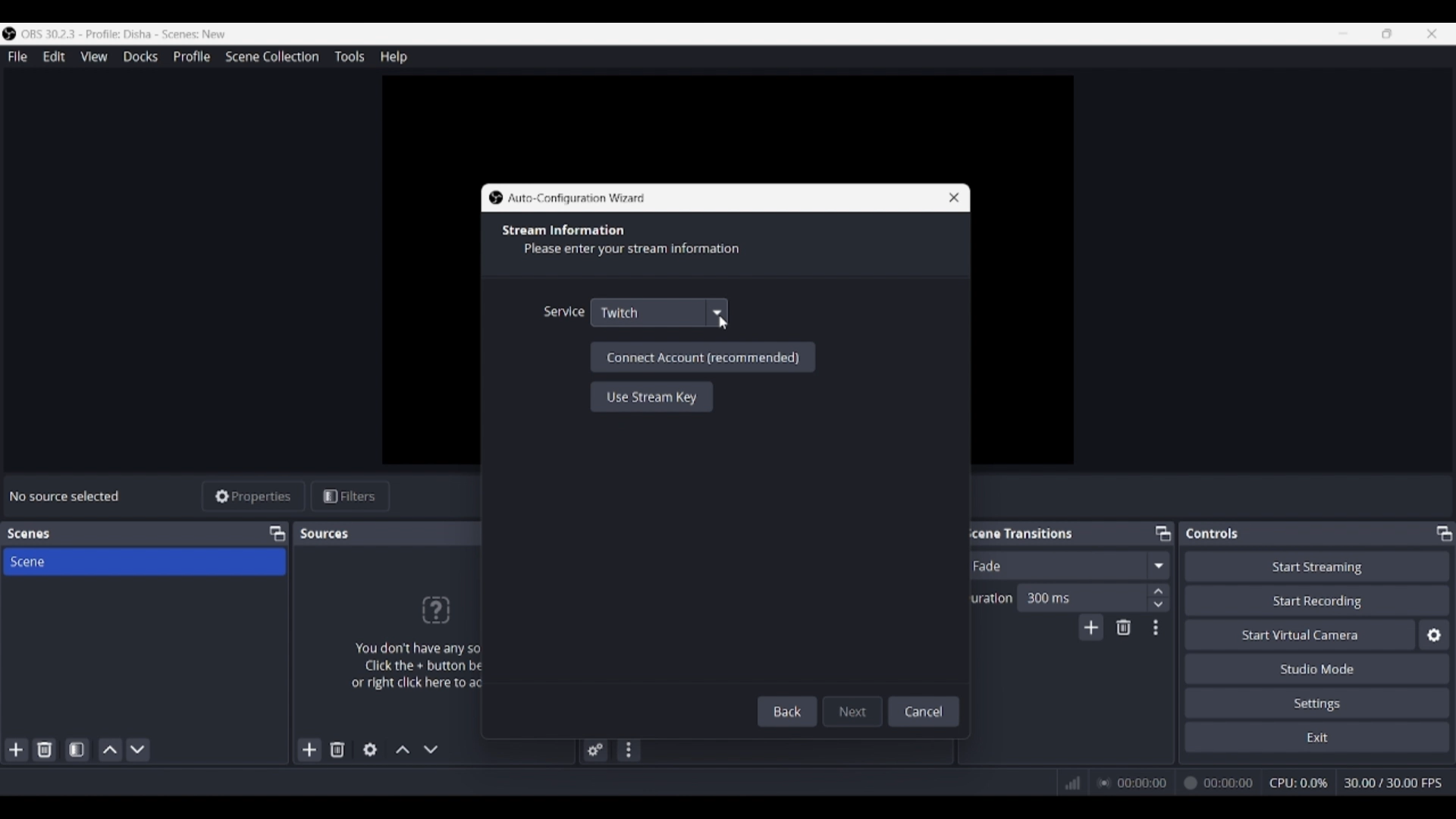 The height and width of the screenshot is (819, 1456). What do you see at coordinates (1124, 627) in the screenshot?
I see `Remove configurble transition` at bounding box center [1124, 627].